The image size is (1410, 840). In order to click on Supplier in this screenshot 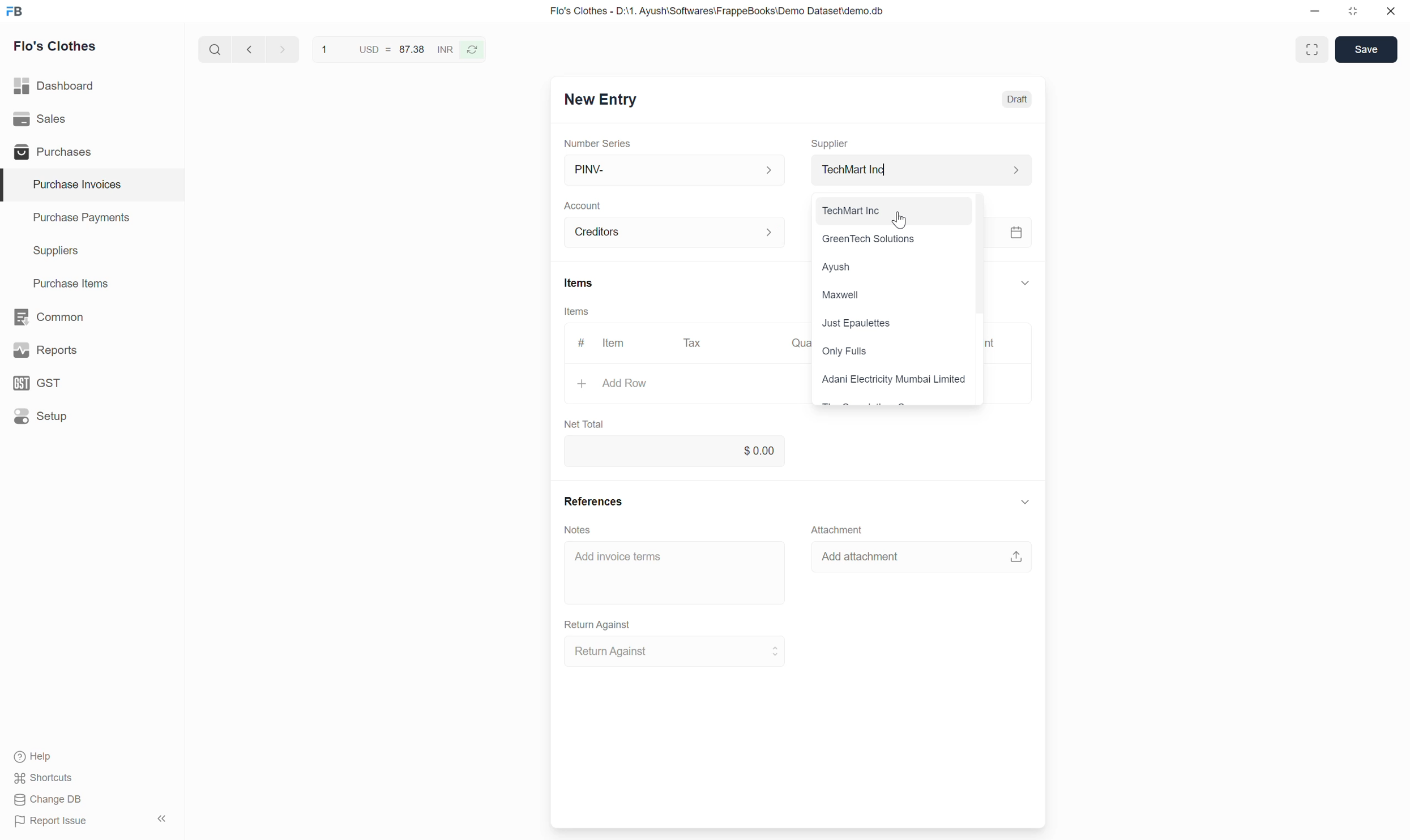, I will do `click(831, 139)`.